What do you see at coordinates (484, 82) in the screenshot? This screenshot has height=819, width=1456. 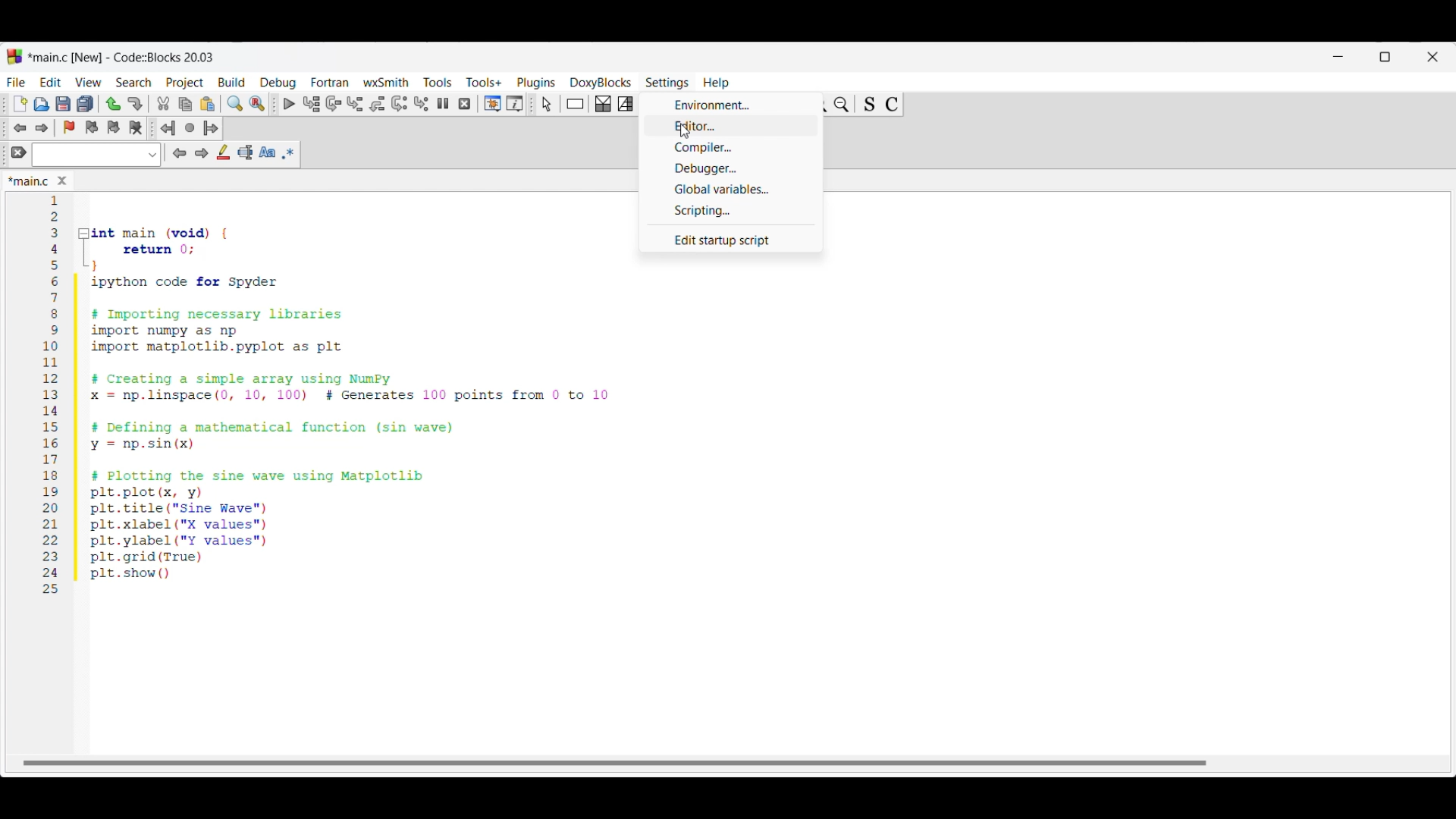 I see `Tools+ menu` at bounding box center [484, 82].